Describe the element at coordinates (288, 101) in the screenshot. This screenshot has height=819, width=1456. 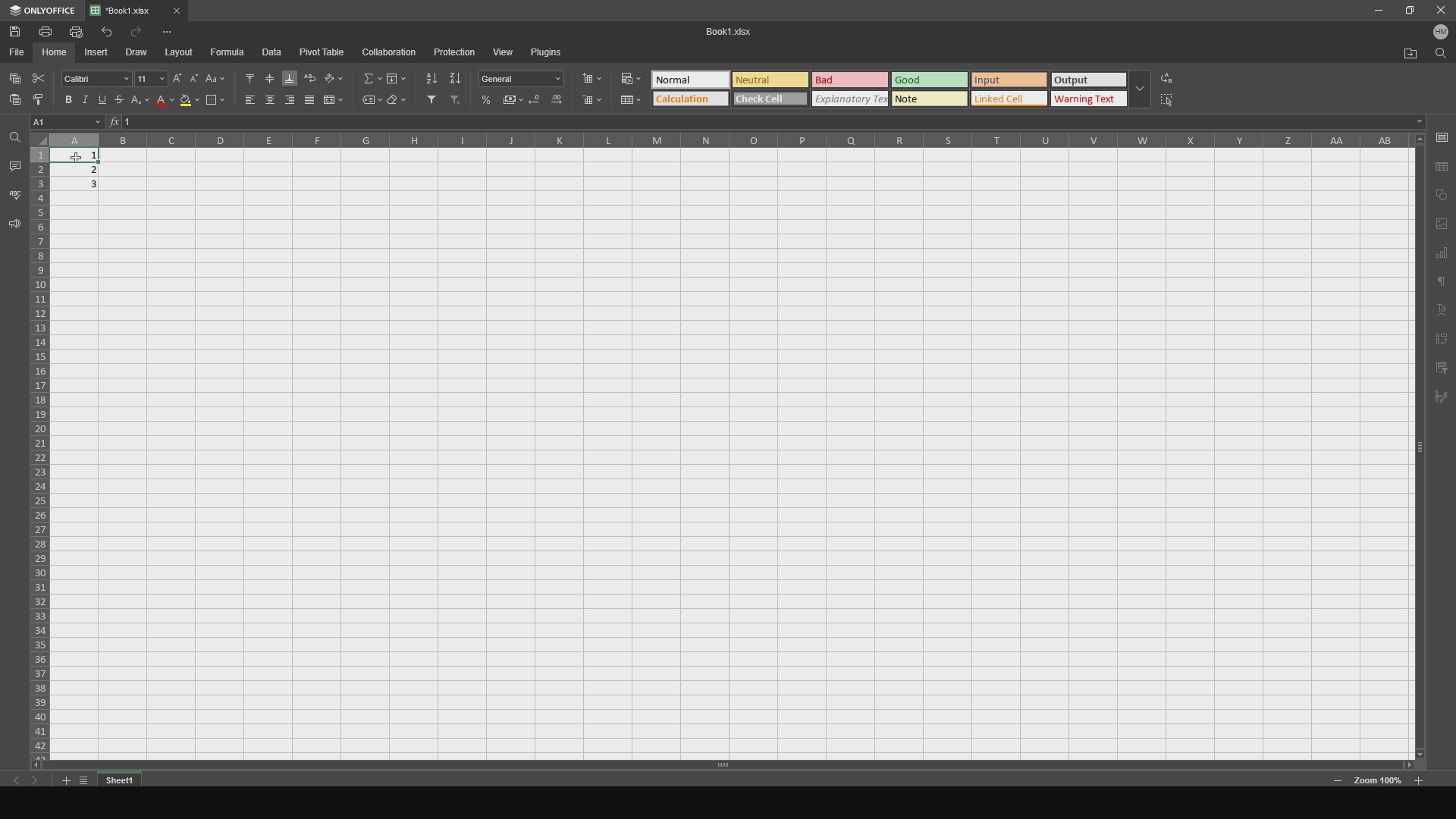
I see `align right` at that location.